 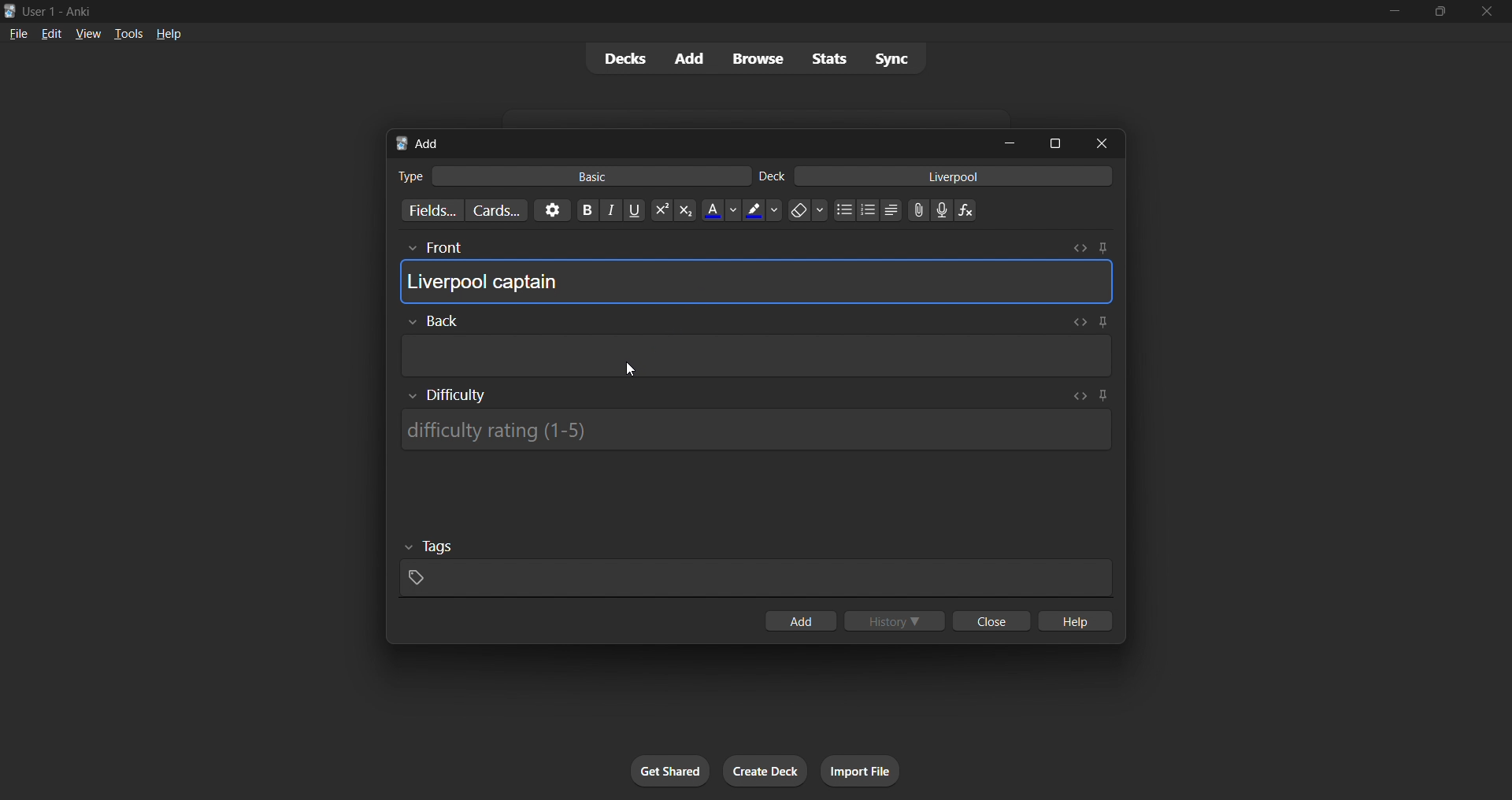 What do you see at coordinates (10, 11) in the screenshot?
I see `Anki logo` at bounding box center [10, 11].